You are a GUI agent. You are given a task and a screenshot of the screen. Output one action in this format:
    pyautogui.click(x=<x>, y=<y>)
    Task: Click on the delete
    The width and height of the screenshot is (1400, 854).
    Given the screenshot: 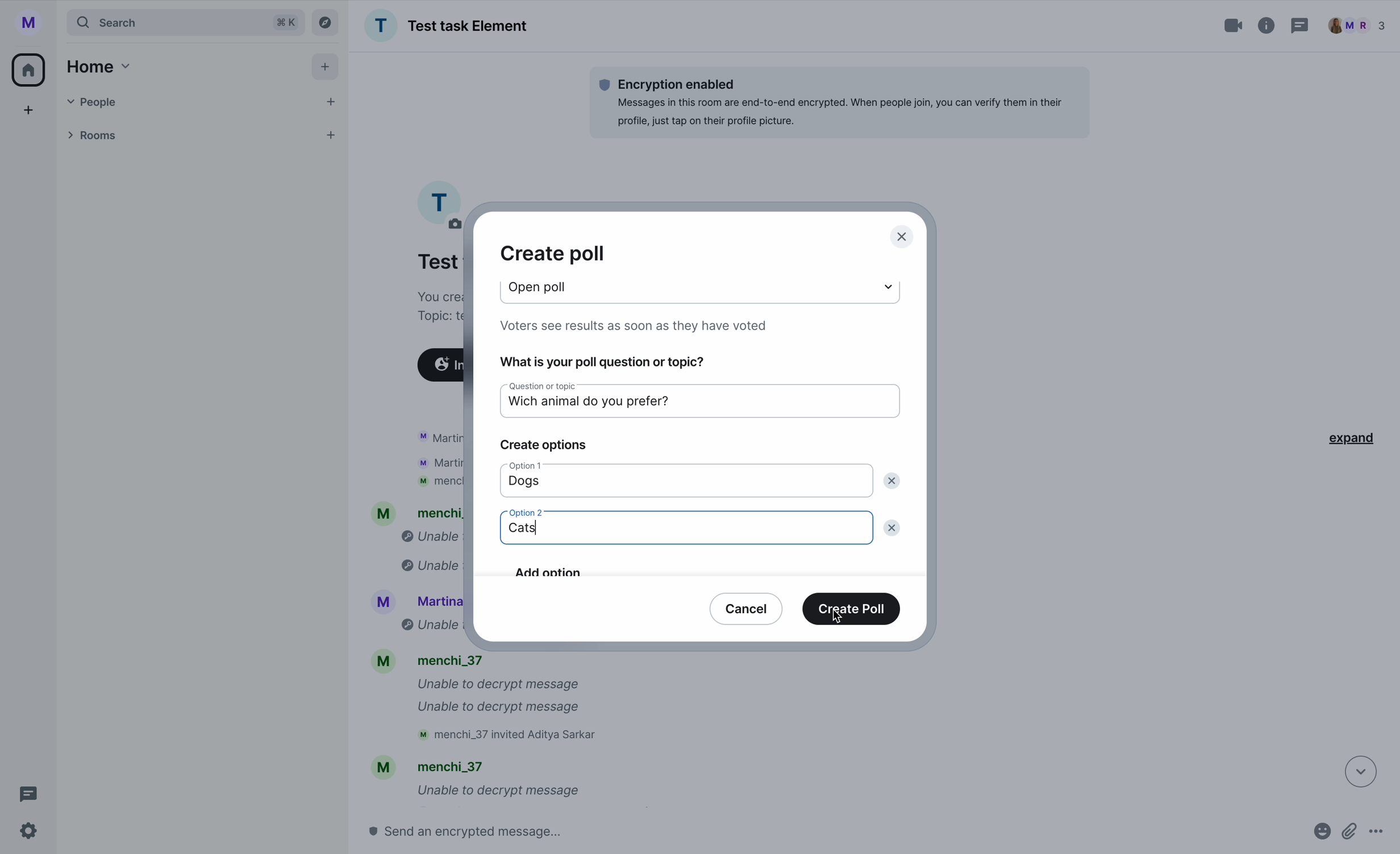 What is the action you would take?
    pyautogui.click(x=894, y=531)
    